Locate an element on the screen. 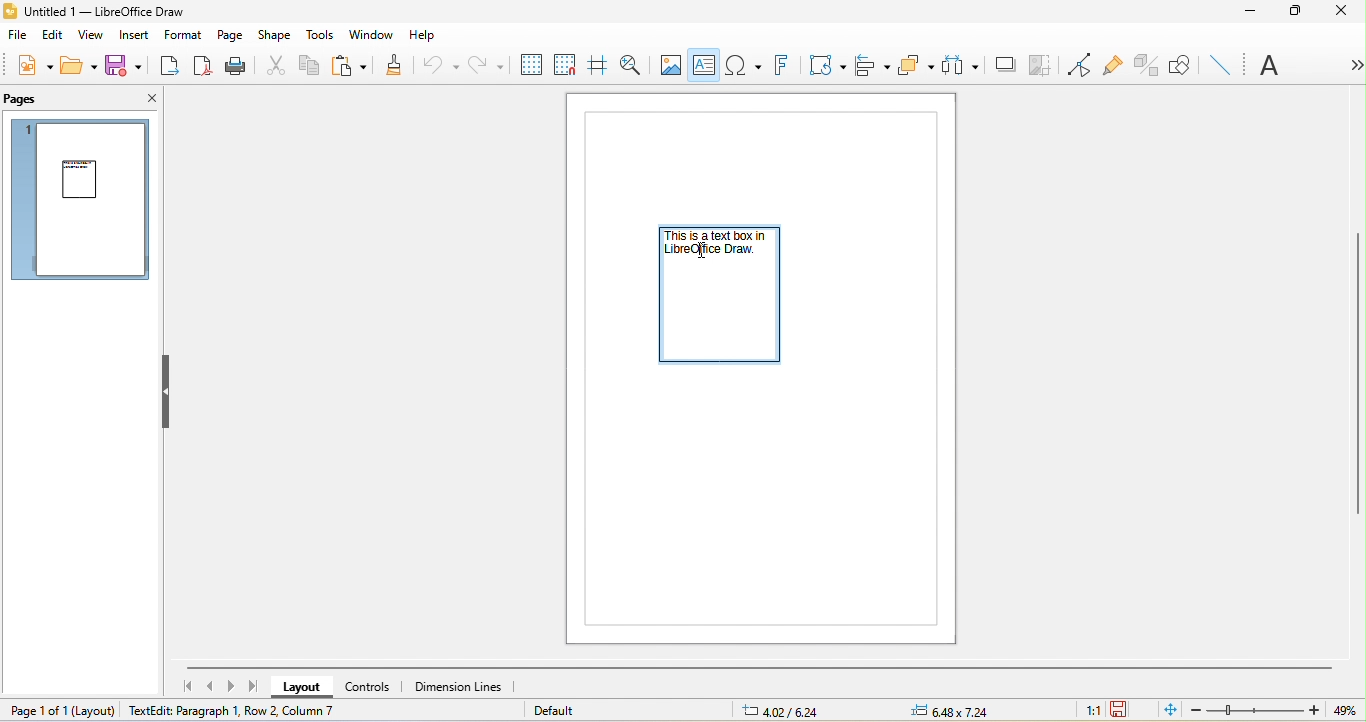 Image resolution: width=1366 pixels, height=722 pixels. fontwork text is located at coordinates (780, 67).